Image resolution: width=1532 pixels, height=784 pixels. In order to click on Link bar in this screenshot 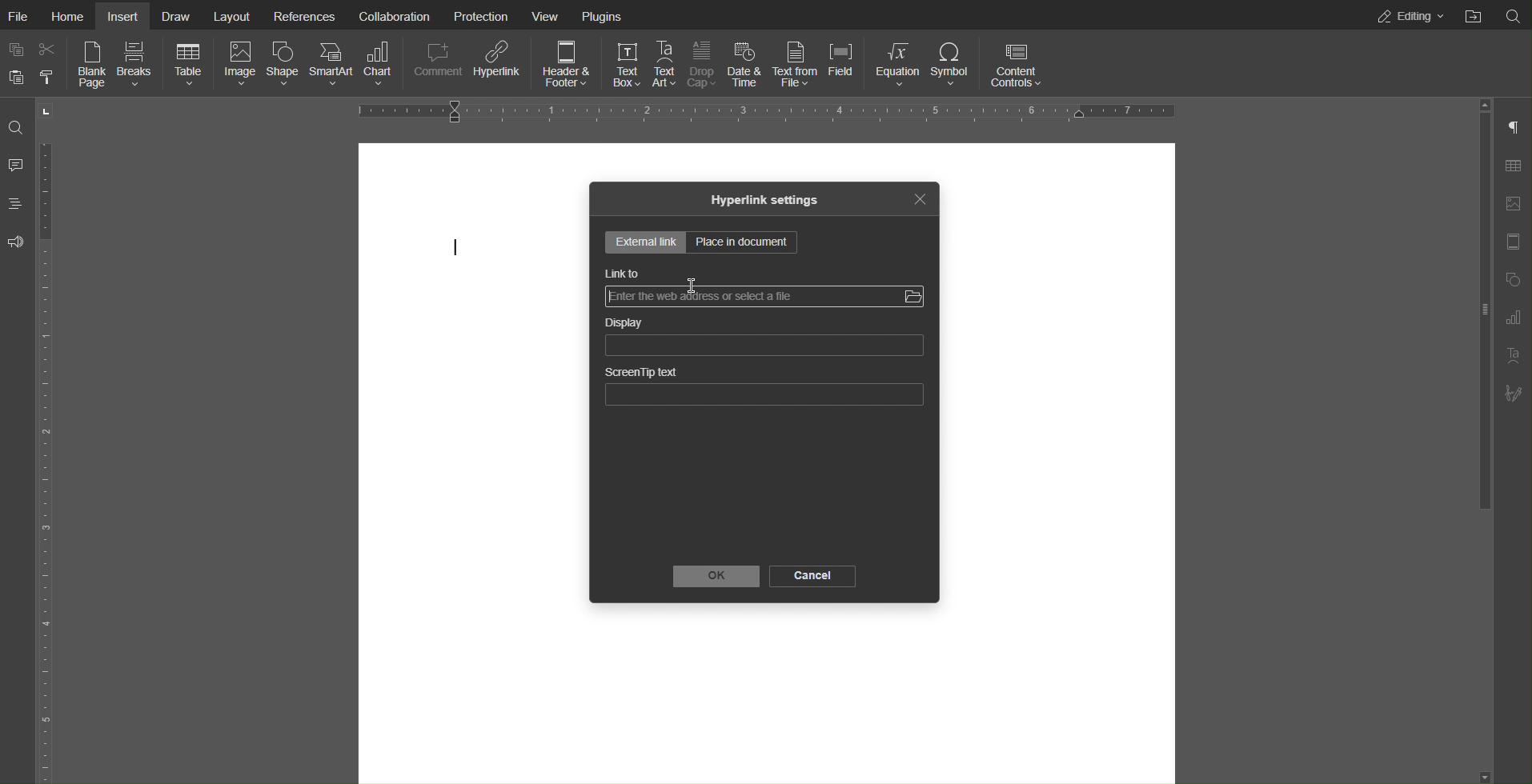, I will do `click(763, 296)`.